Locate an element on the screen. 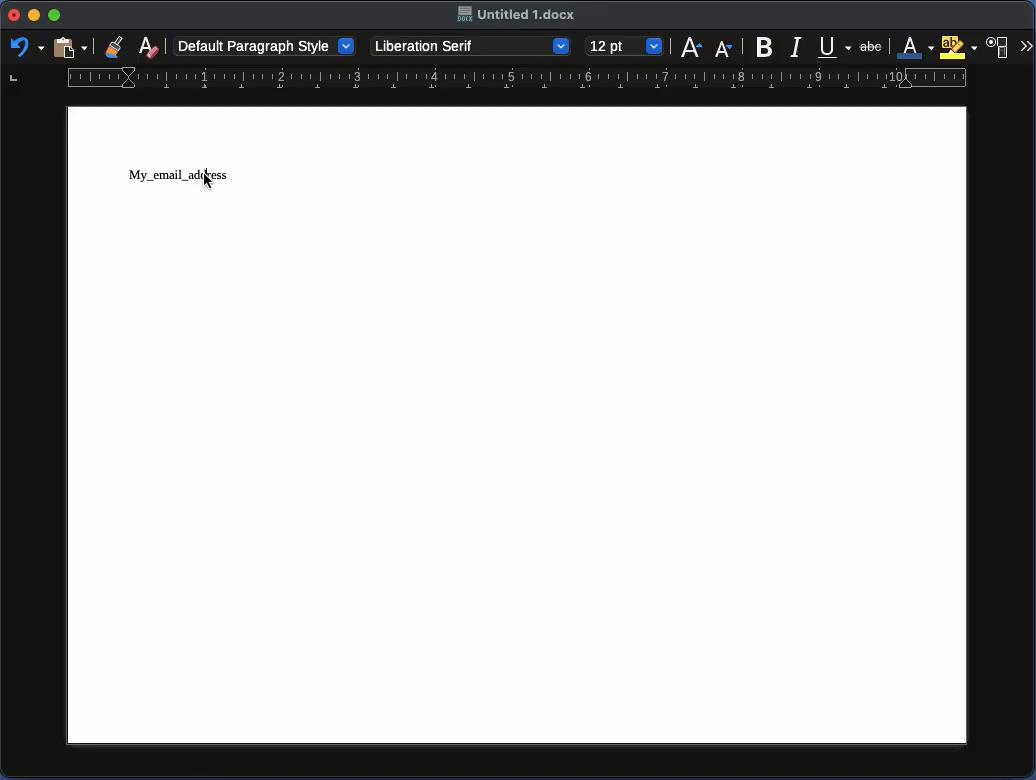 Image resolution: width=1036 pixels, height=780 pixels. More is located at coordinates (1026, 44).